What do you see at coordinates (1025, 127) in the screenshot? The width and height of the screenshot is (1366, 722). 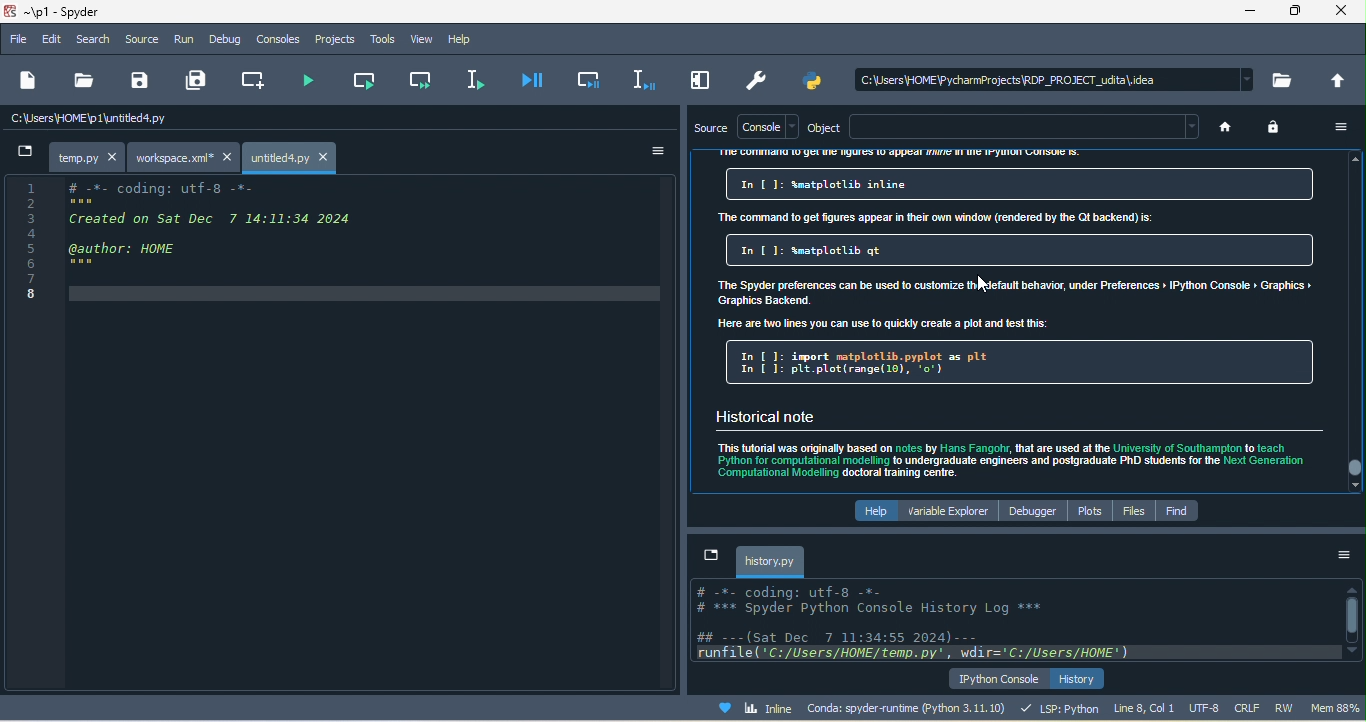 I see `search bar` at bounding box center [1025, 127].